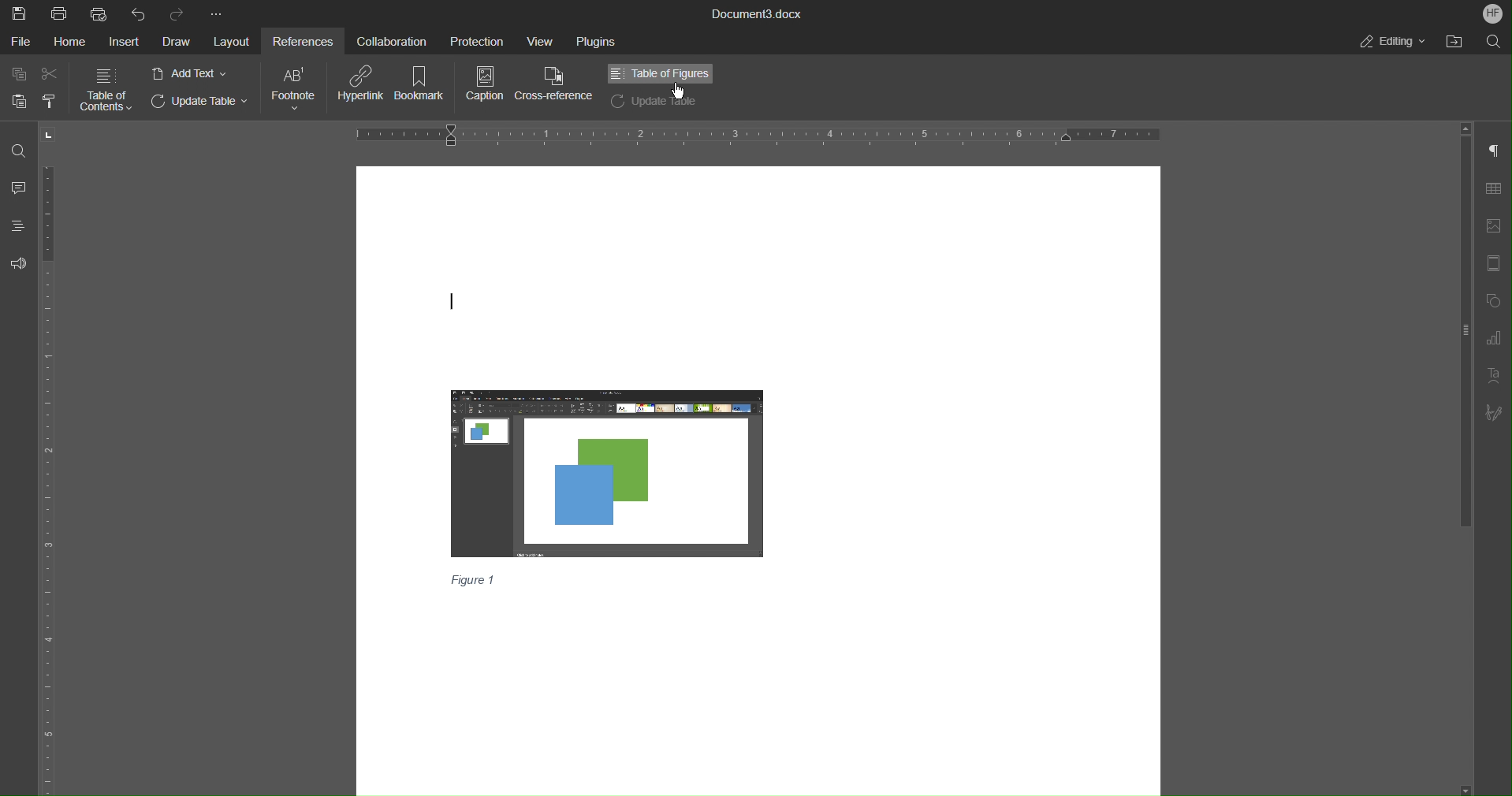 Image resolution: width=1512 pixels, height=796 pixels. Describe the element at coordinates (50, 101) in the screenshot. I see `Copy Style` at that location.